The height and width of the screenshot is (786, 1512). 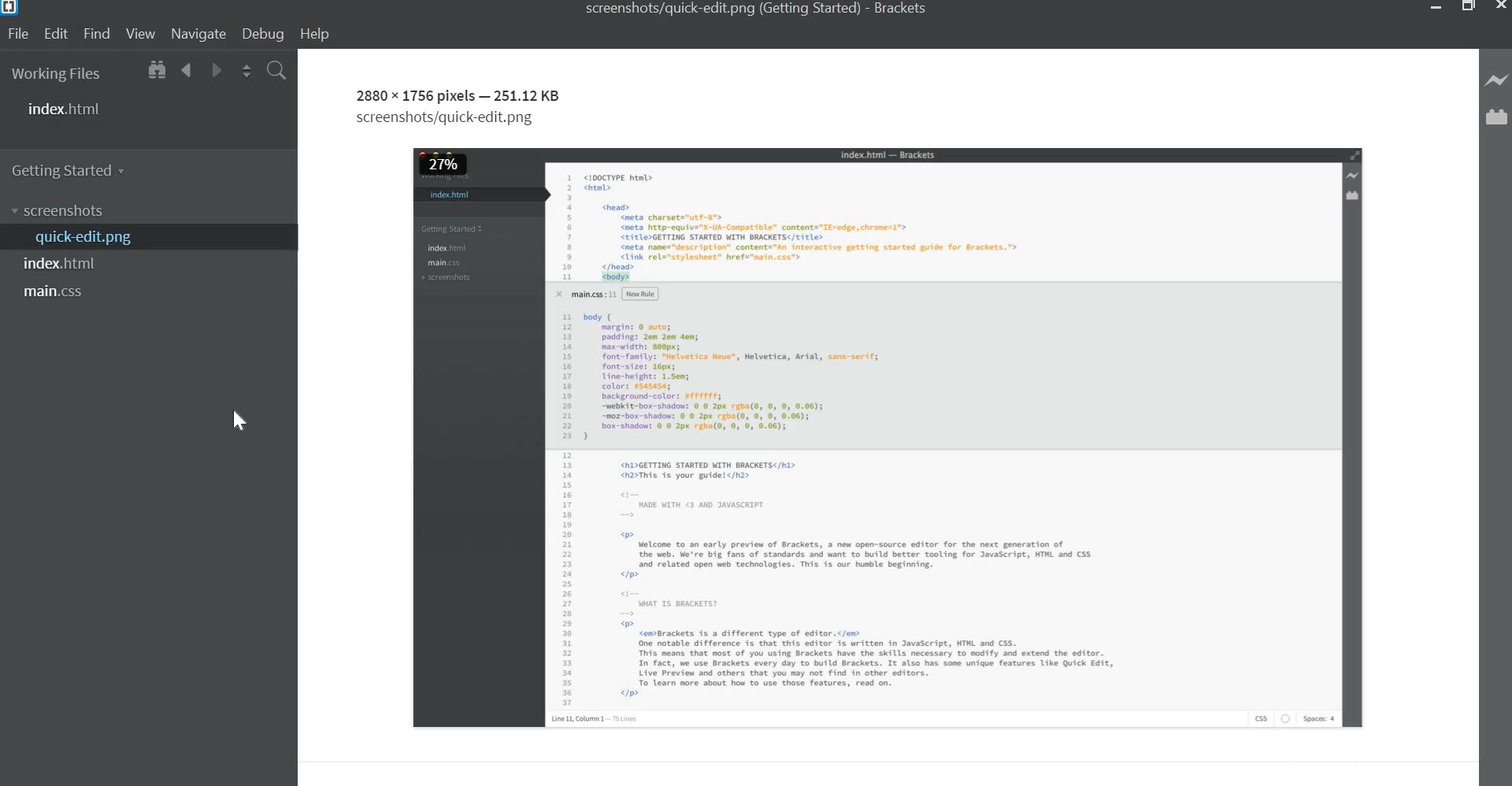 I want to click on Close, so click(x=1499, y=7).